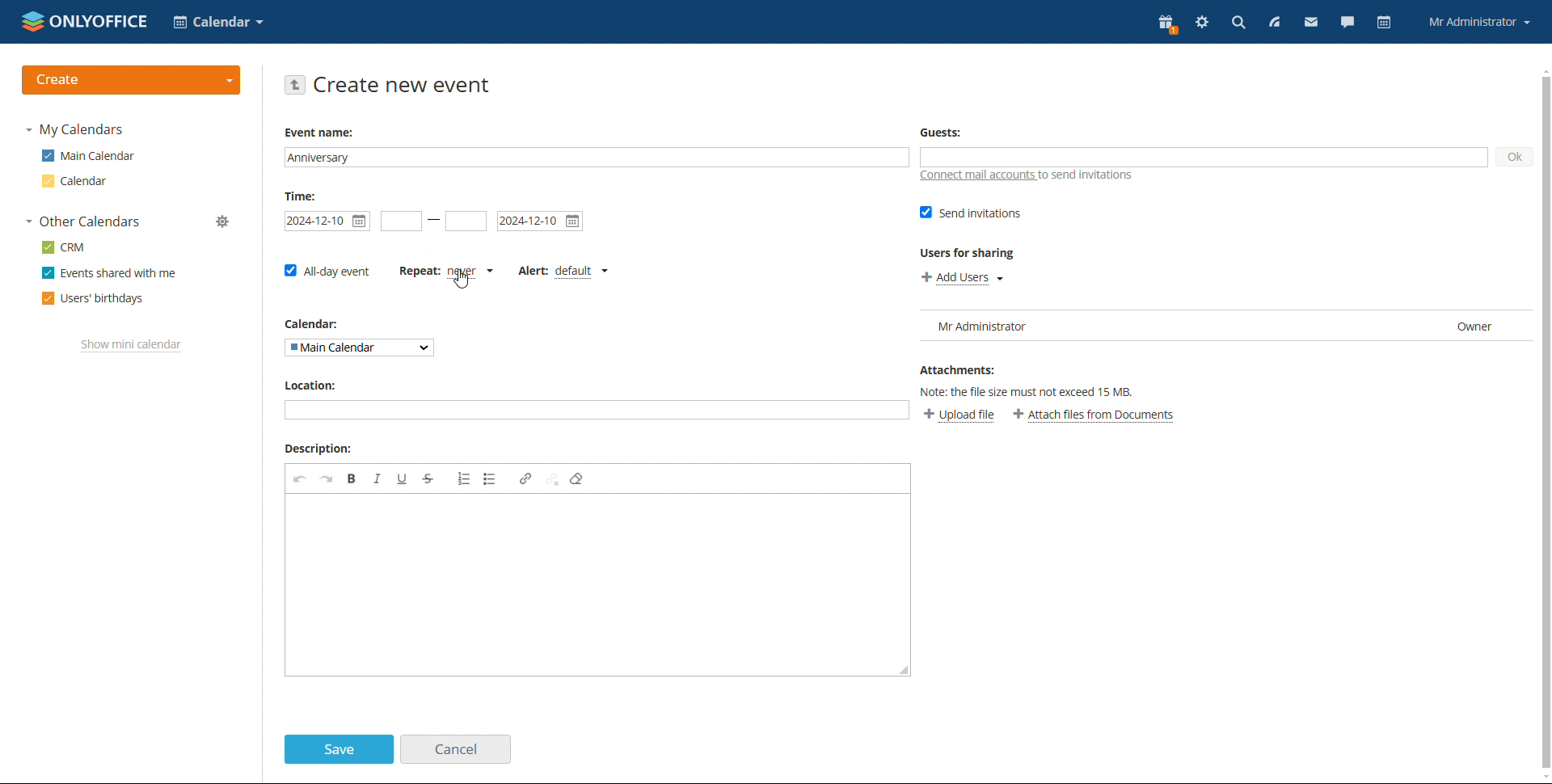  I want to click on insert/remove numbered list, so click(465, 478).